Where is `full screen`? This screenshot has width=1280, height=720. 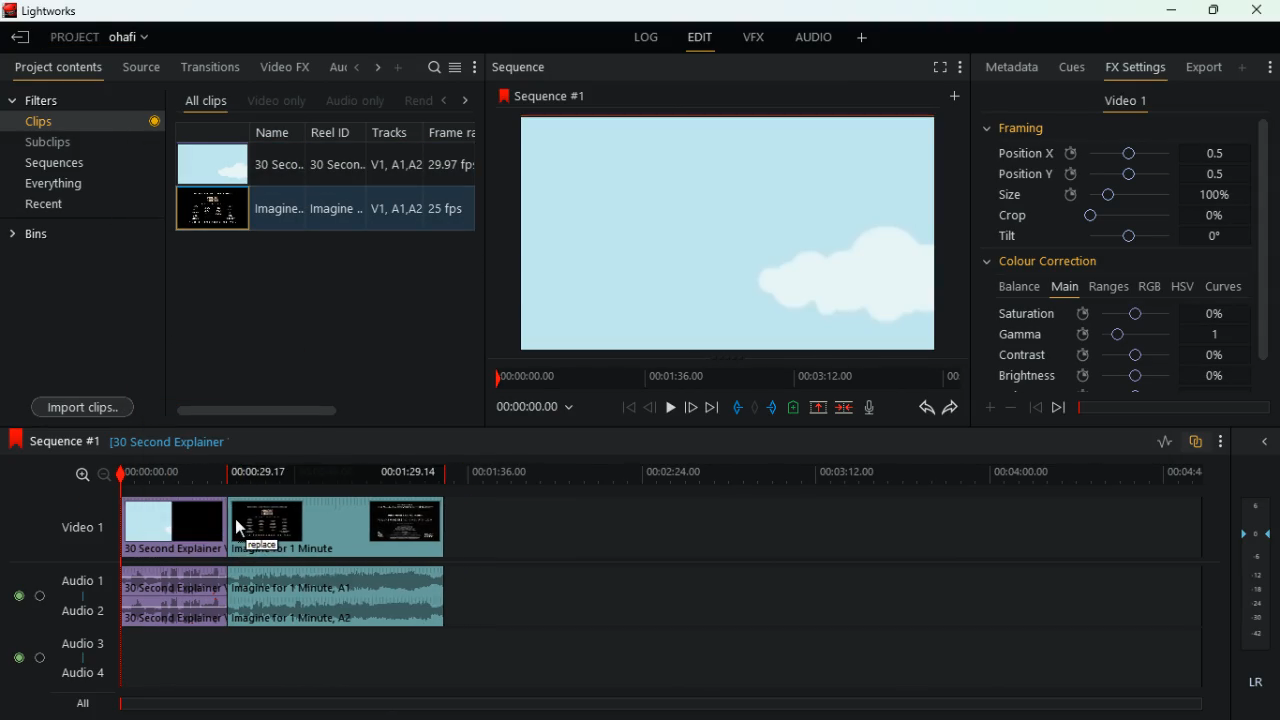
full screen is located at coordinates (940, 69).